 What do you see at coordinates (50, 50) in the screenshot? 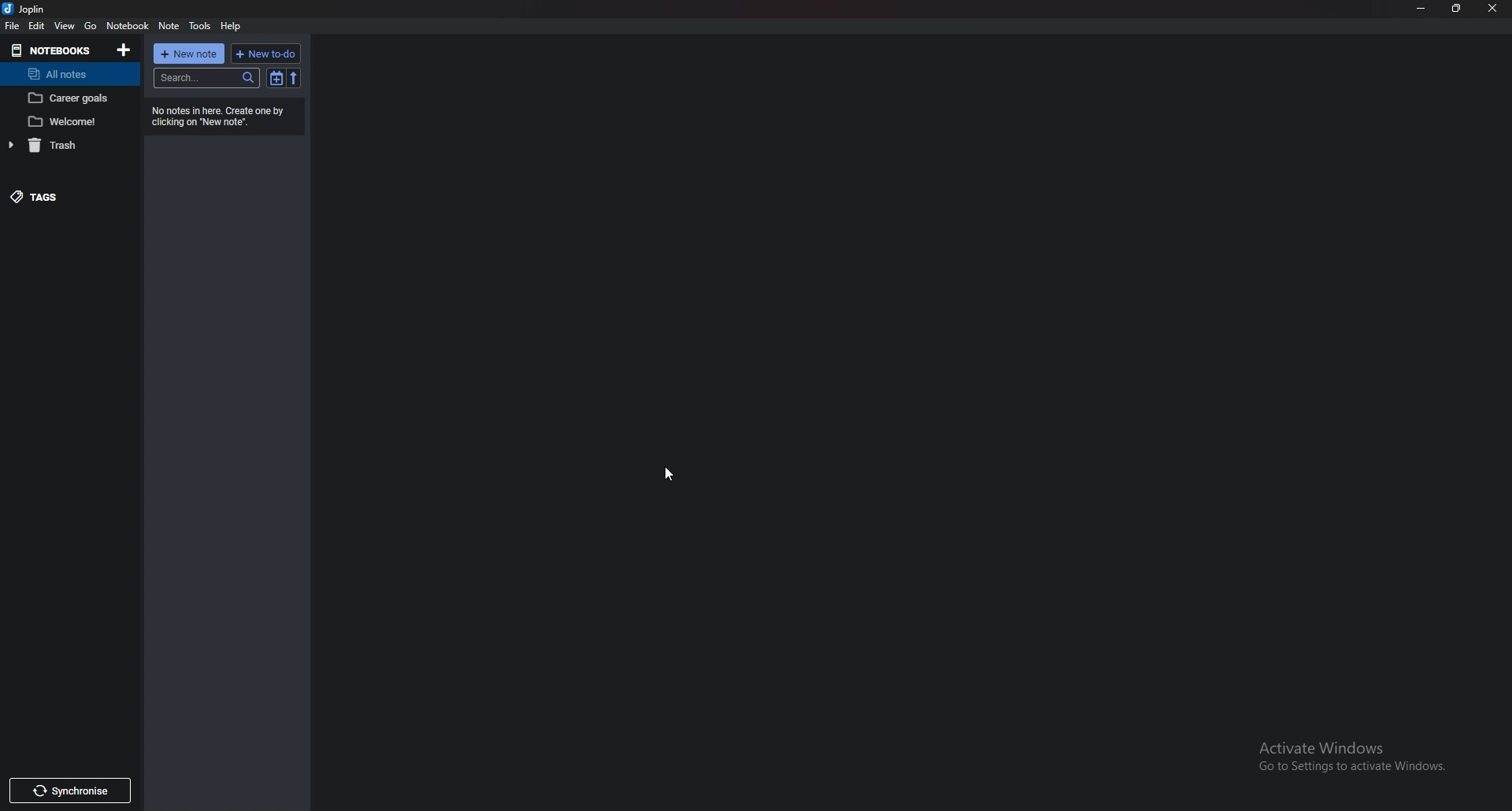
I see `notebooks` at bounding box center [50, 50].